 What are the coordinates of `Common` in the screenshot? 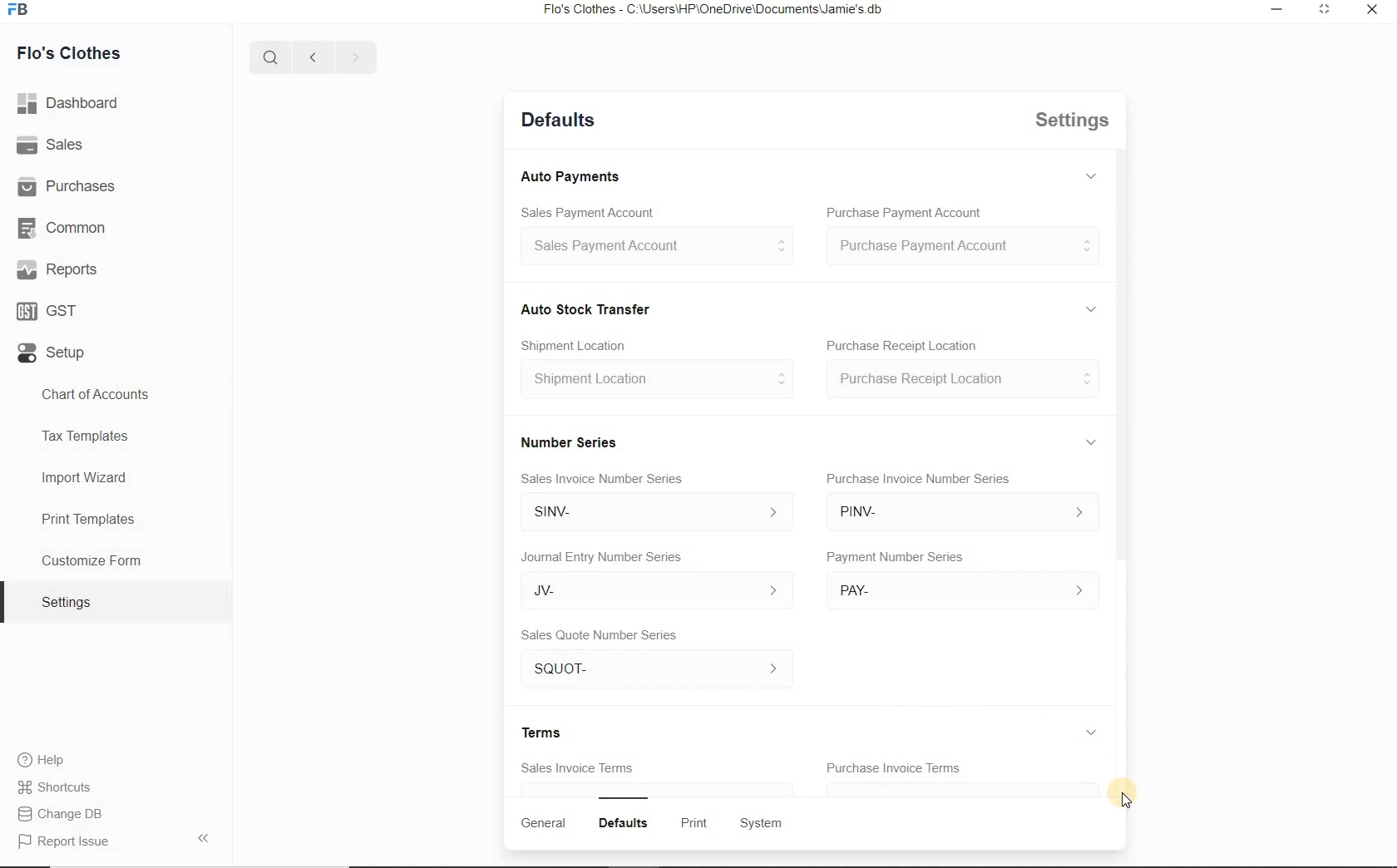 It's located at (61, 228).